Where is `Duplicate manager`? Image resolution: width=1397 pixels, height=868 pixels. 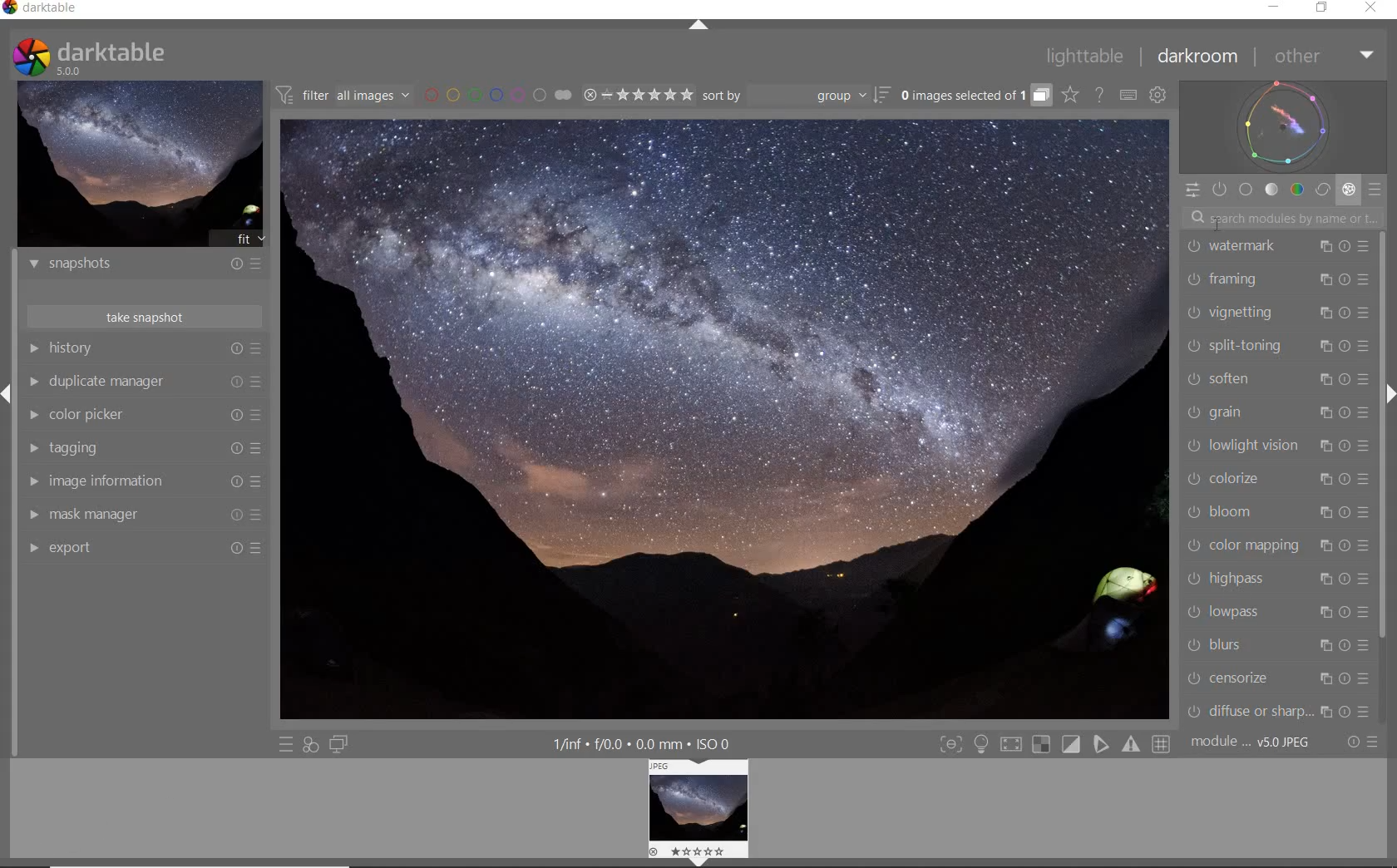 Duplicate manager is located at coordinates (111, 379).